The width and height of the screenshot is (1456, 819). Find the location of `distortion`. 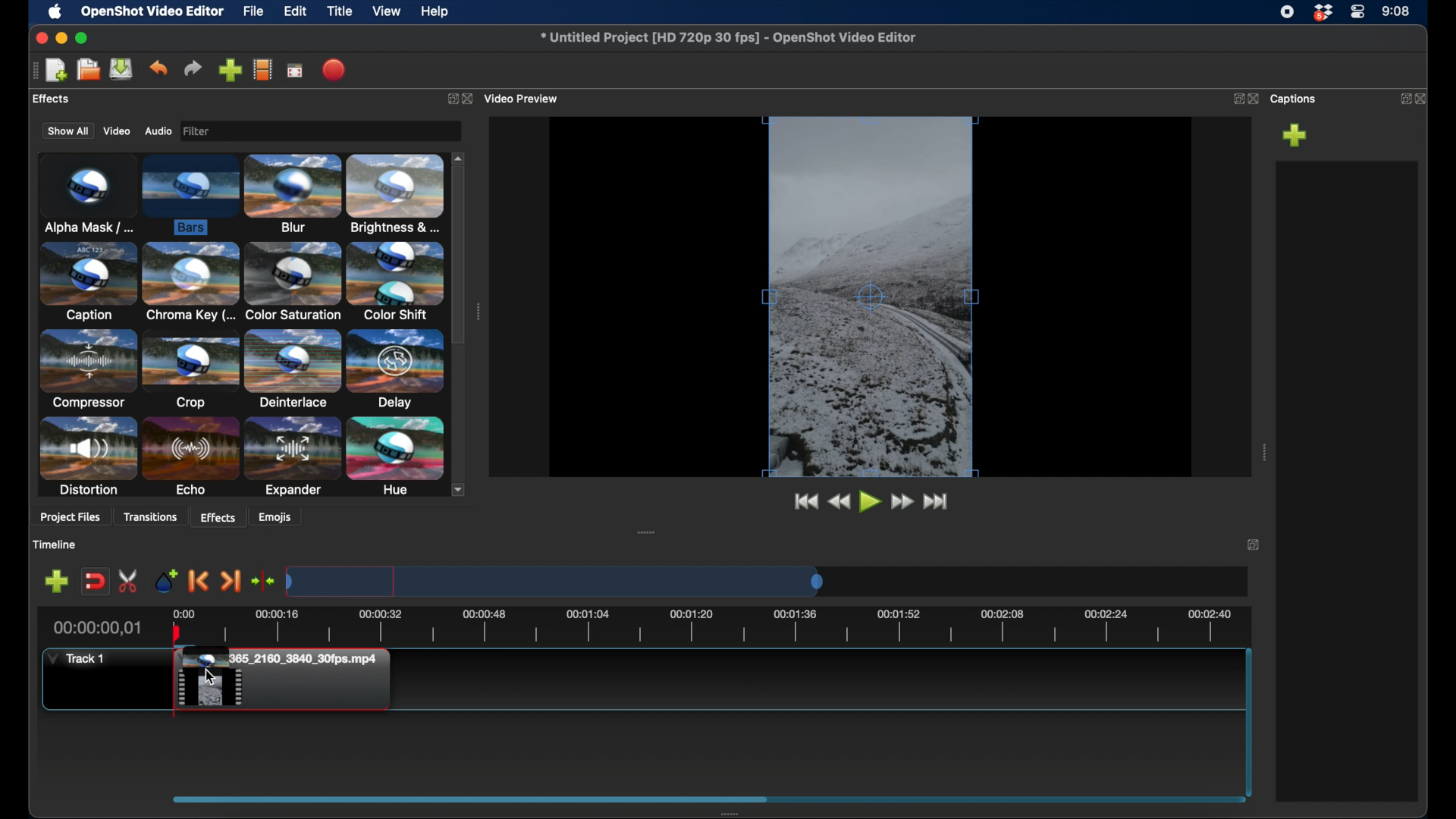

distortion is located at coordinates (88, 457).